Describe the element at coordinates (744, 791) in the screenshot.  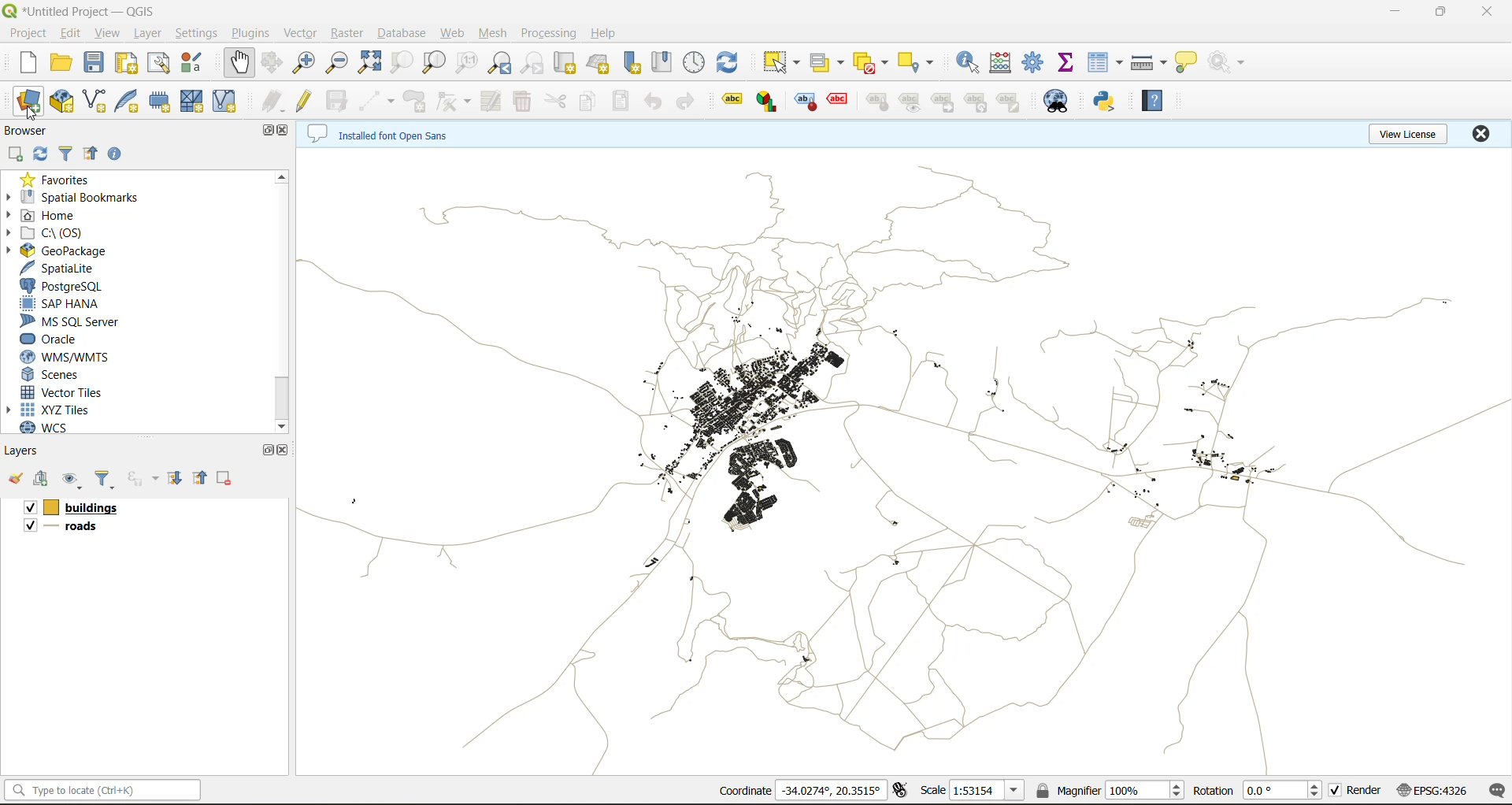
I see `coordinates` at that location.